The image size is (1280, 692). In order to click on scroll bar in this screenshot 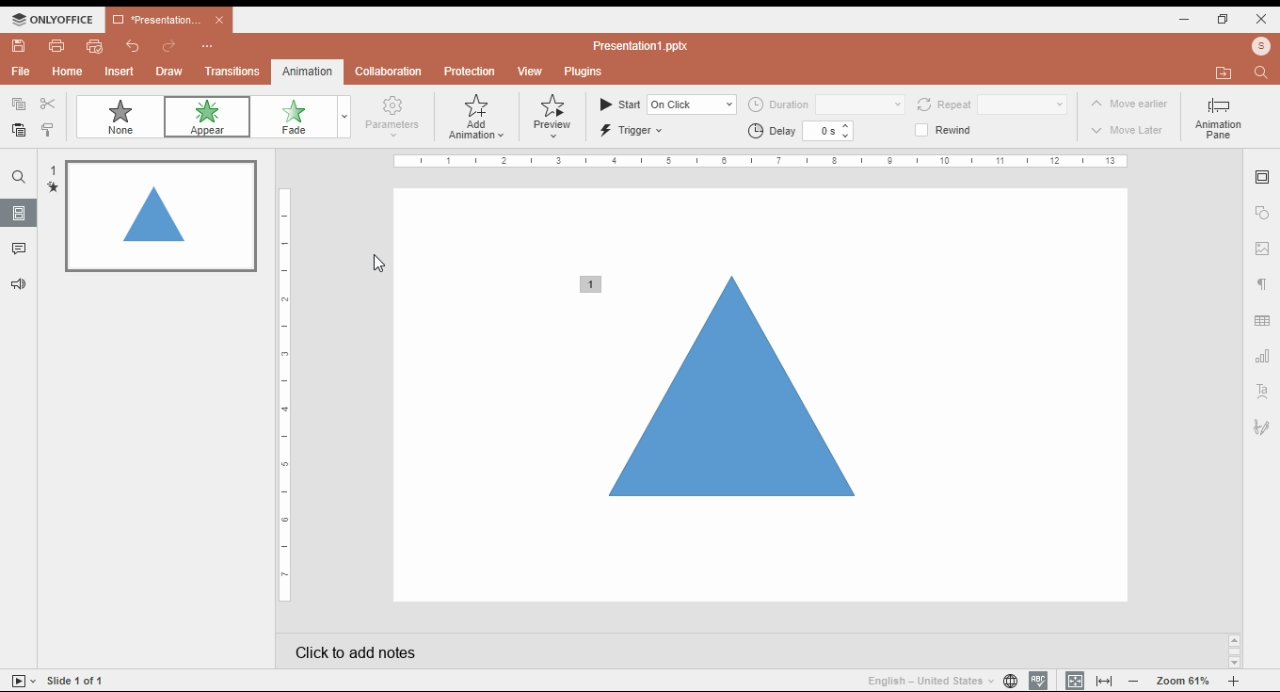, I will do `click(1234, 650)`.